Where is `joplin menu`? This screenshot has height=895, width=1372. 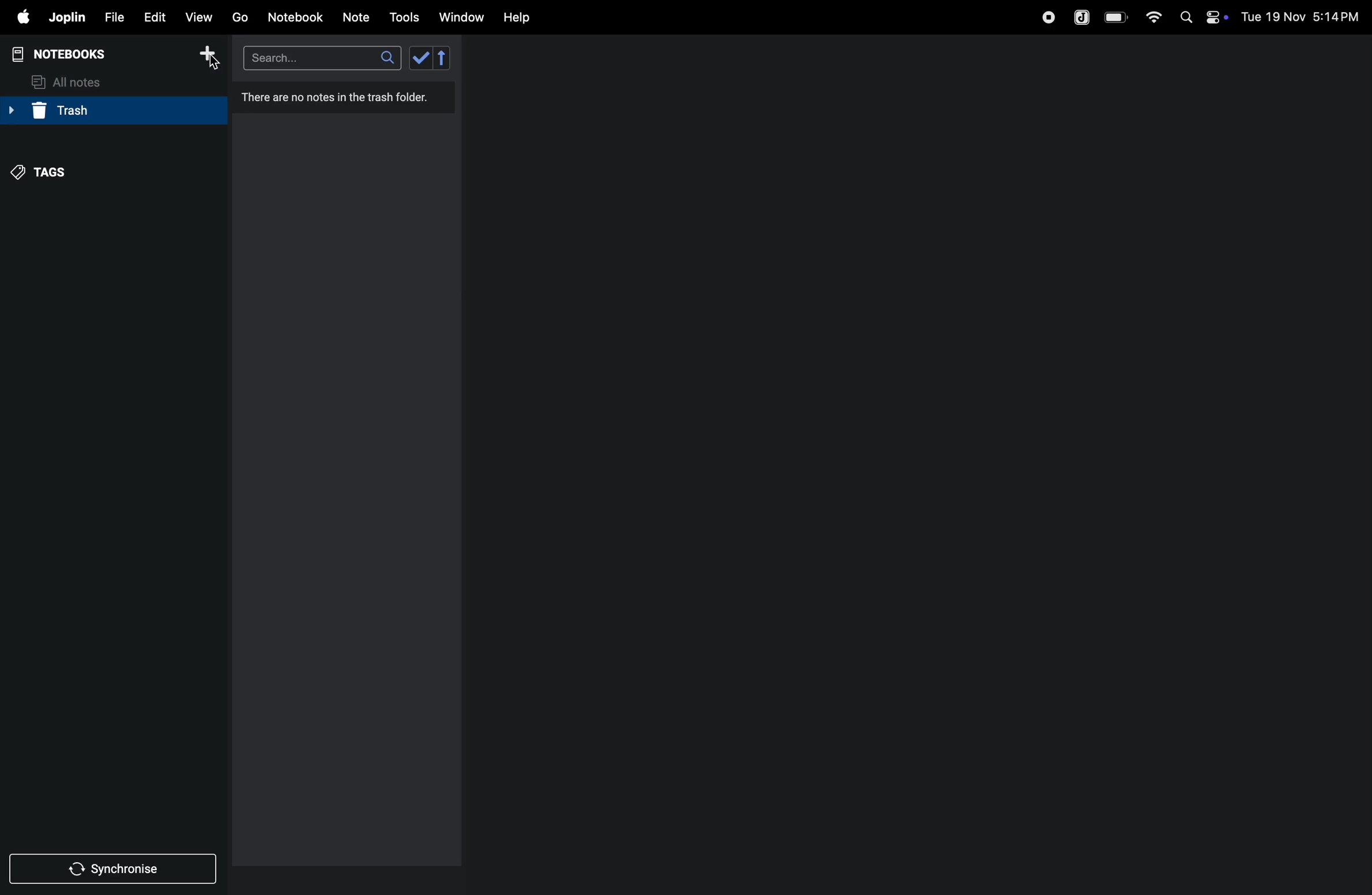 joplin menu is located at coordinates (65, 17).